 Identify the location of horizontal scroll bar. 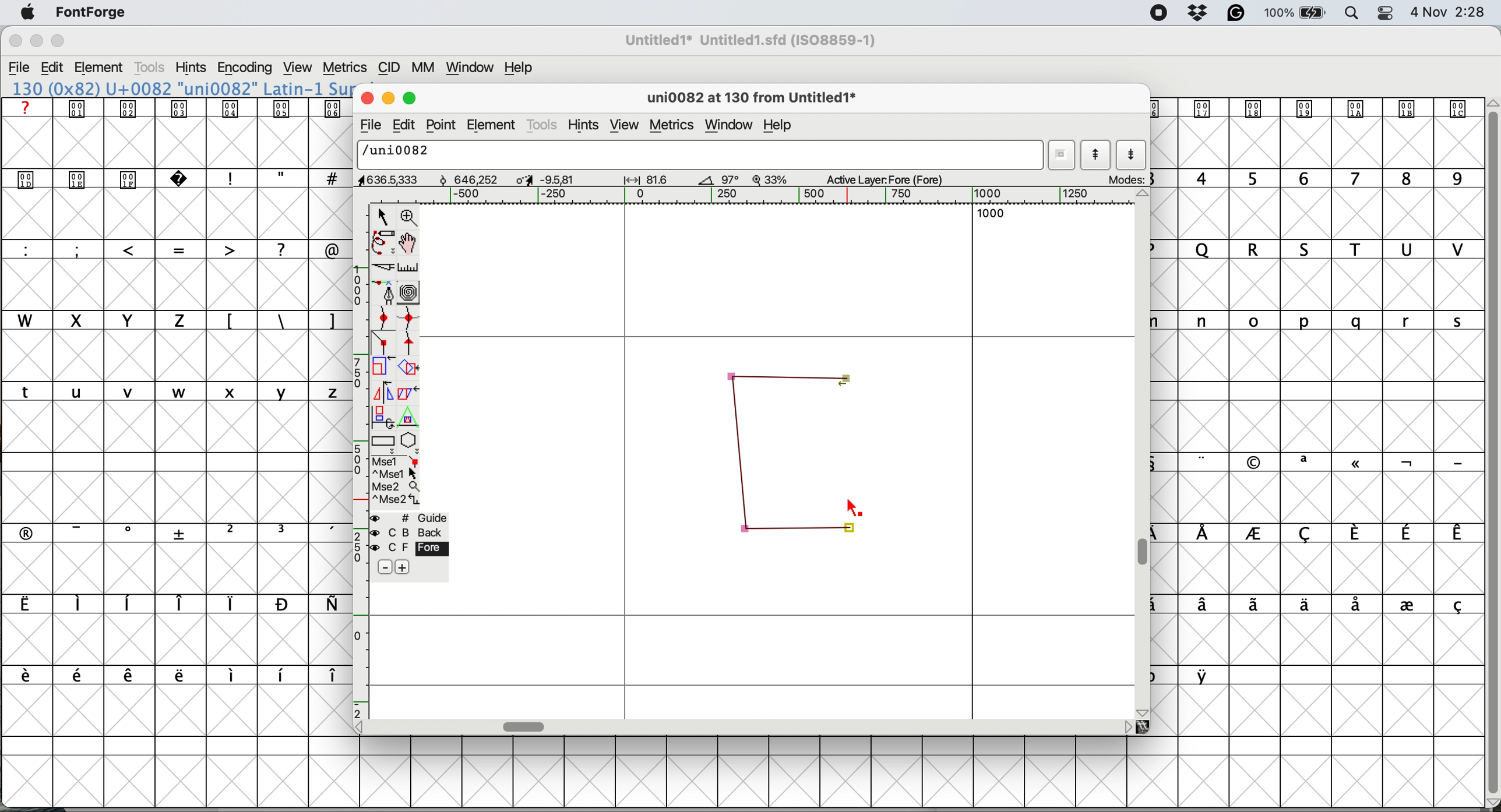
(526, 726).